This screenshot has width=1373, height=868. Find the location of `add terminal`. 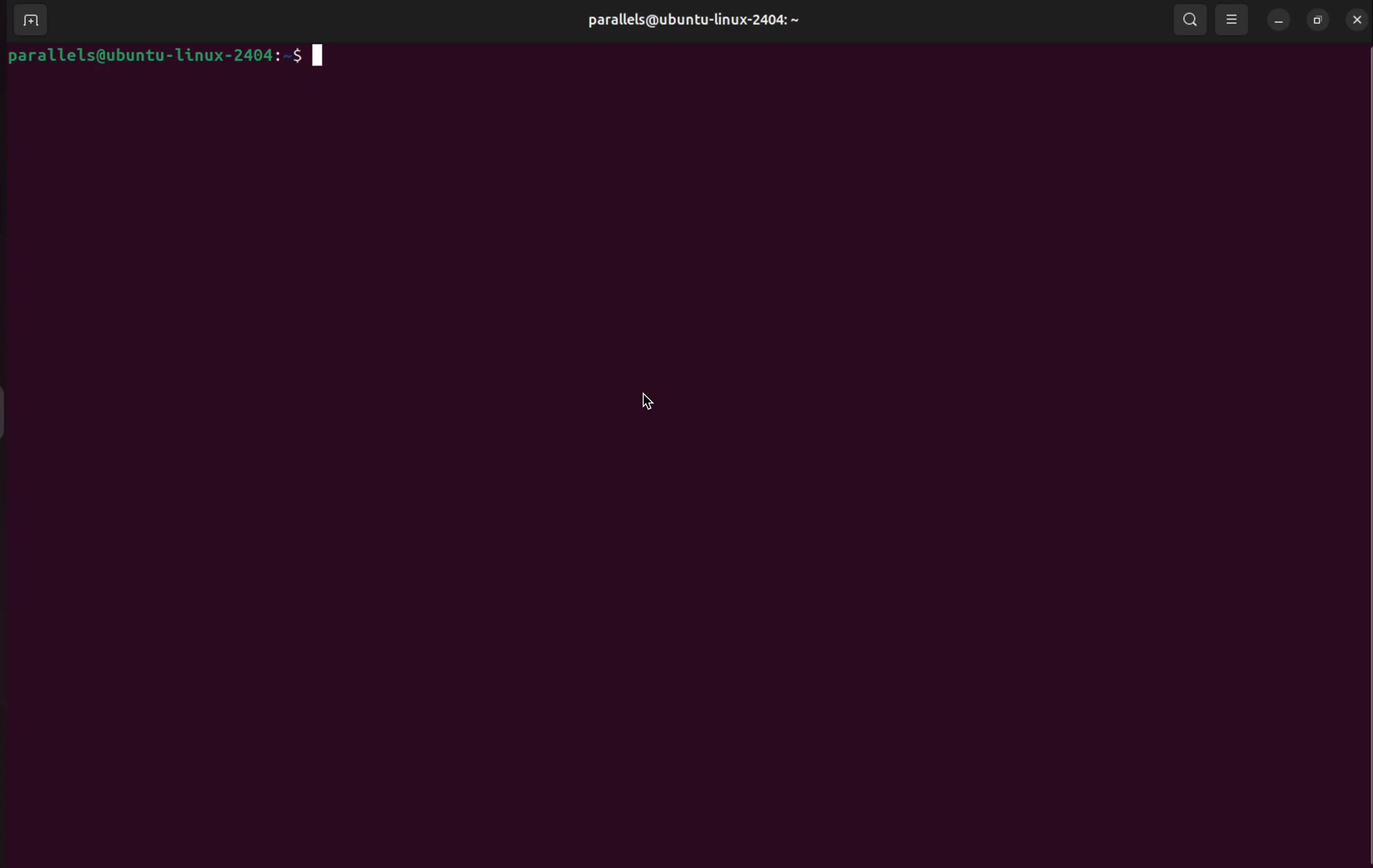

add terminal is located at coordinates (28, 21).